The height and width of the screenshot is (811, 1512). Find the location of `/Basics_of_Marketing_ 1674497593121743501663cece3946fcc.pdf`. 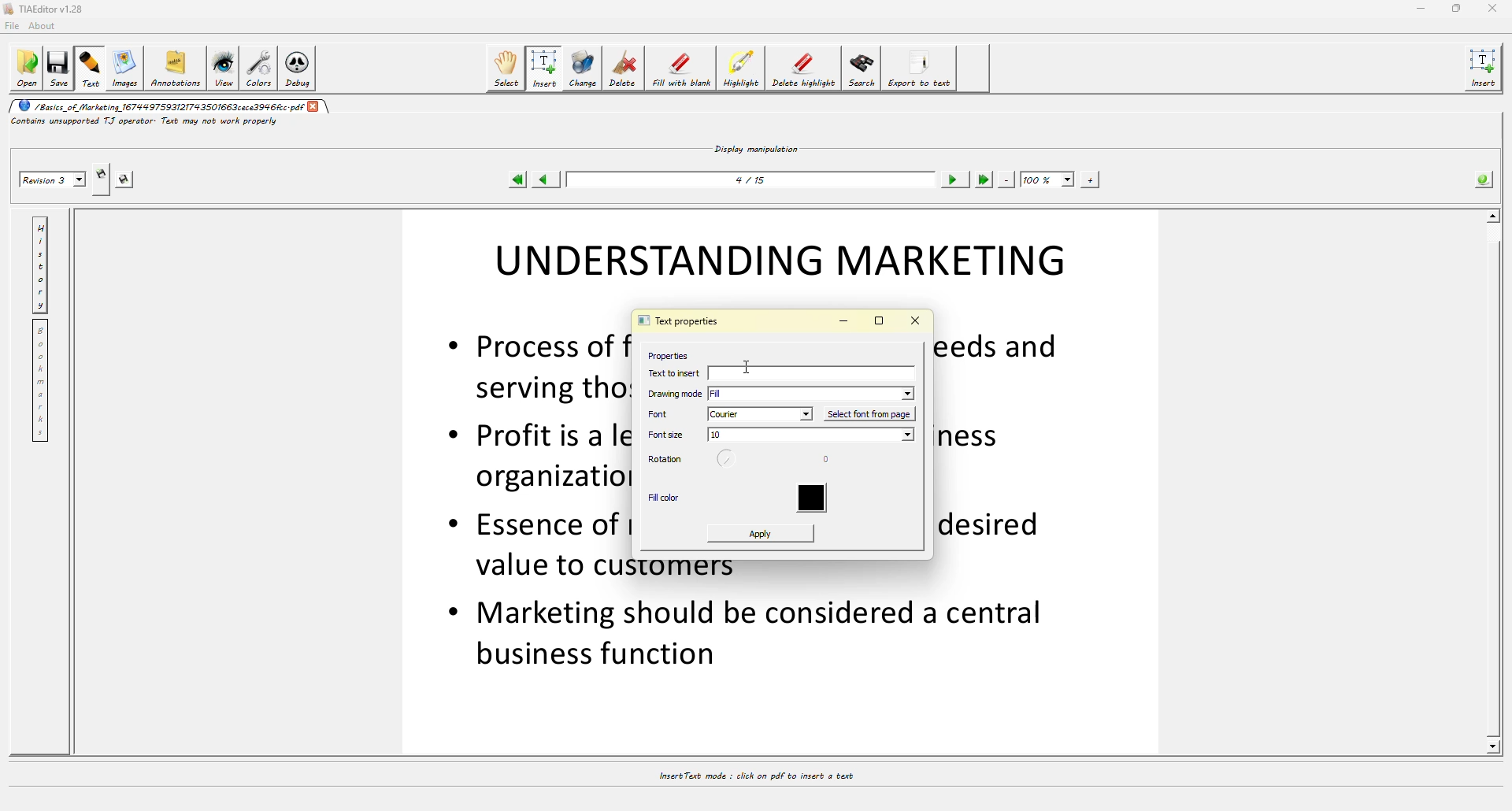

/Basics_of_Marketing_ 1674497593121743501663cece3946fcc.pdf is located at coordinates (159, 106).